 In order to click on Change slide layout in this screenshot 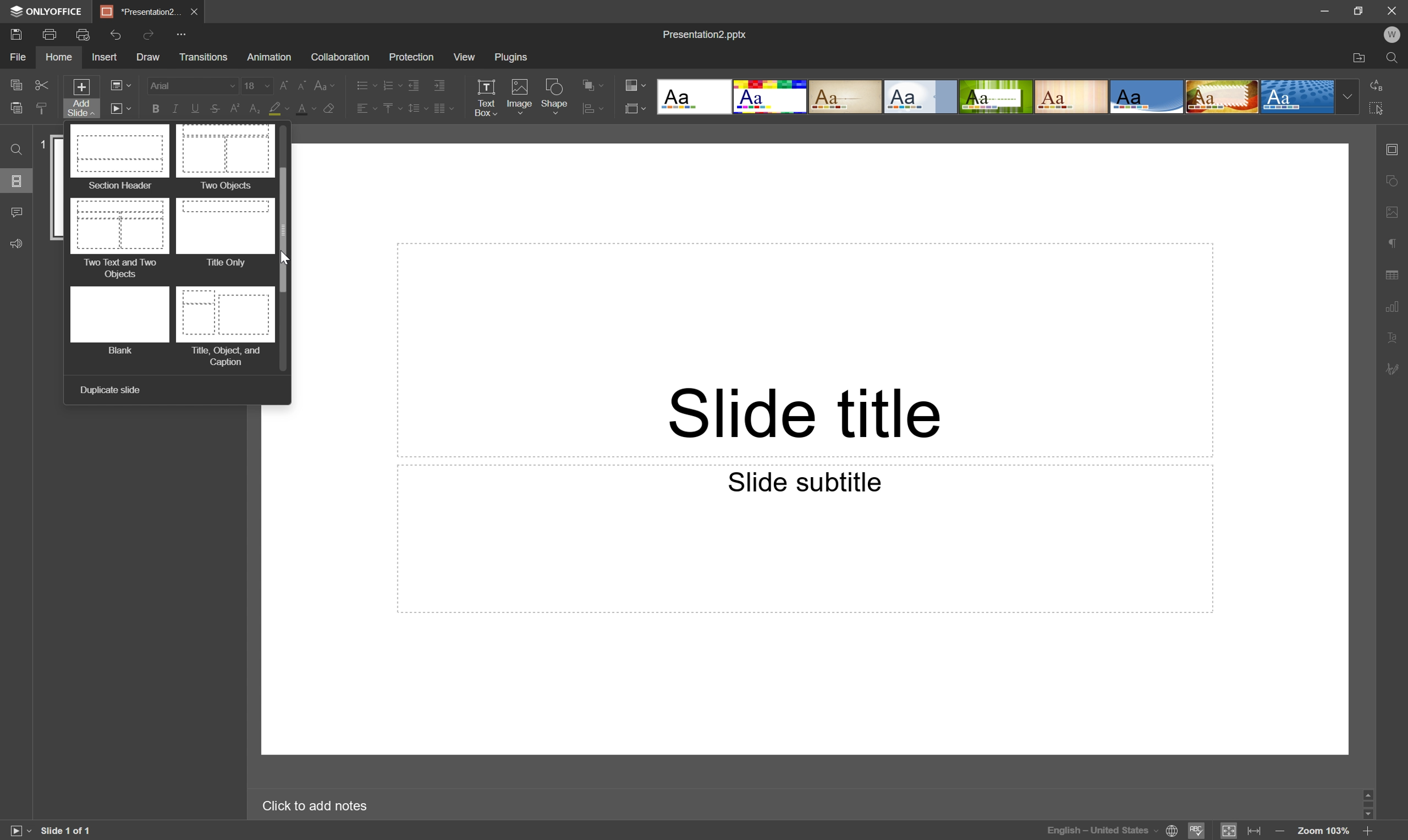, I will do `click(121, 85)`.